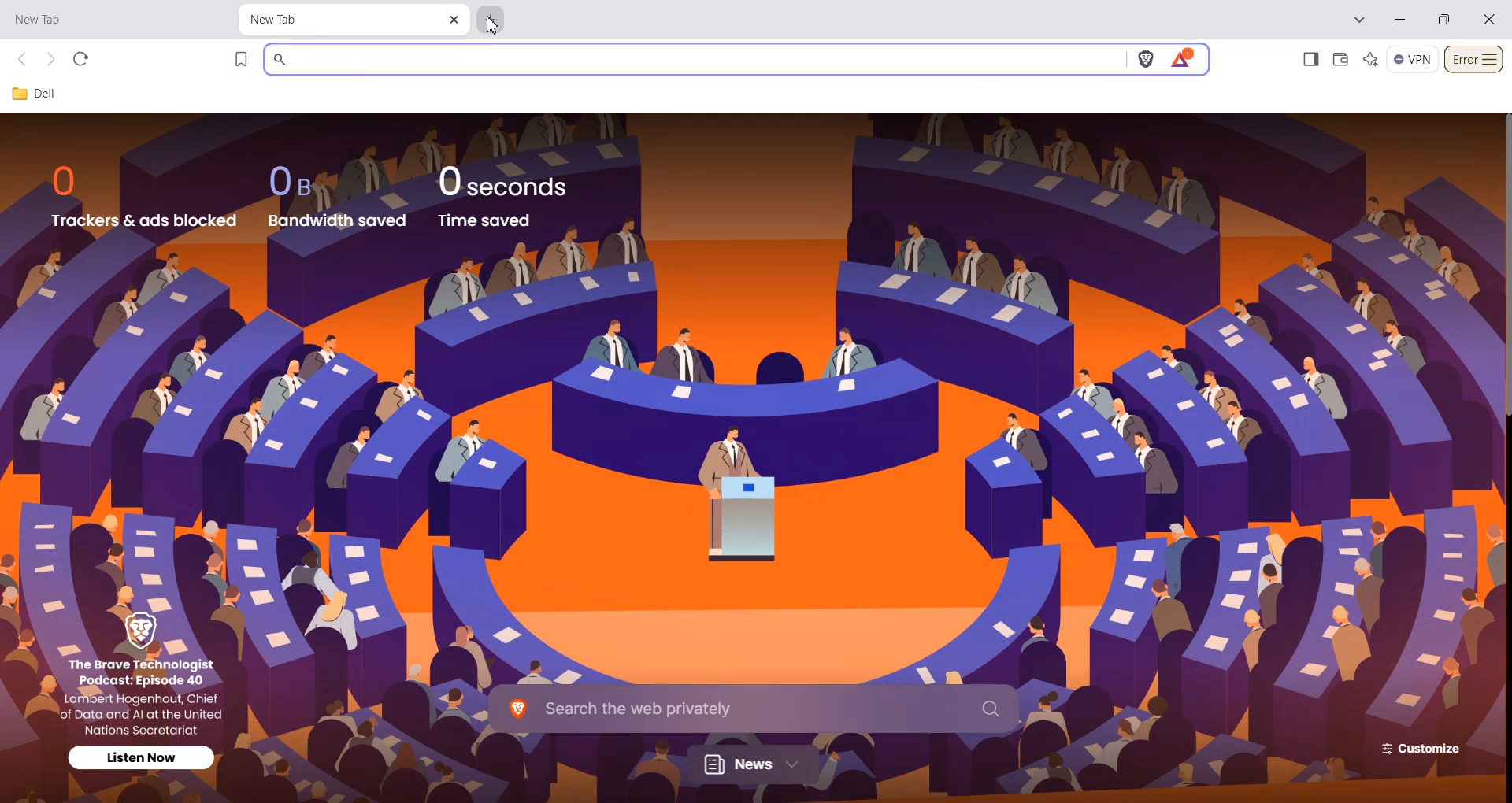 This screenshot has height=803, width=1512. Describe the element at coordinates (149, 630) in the screenshot. I see `icon` at that location.